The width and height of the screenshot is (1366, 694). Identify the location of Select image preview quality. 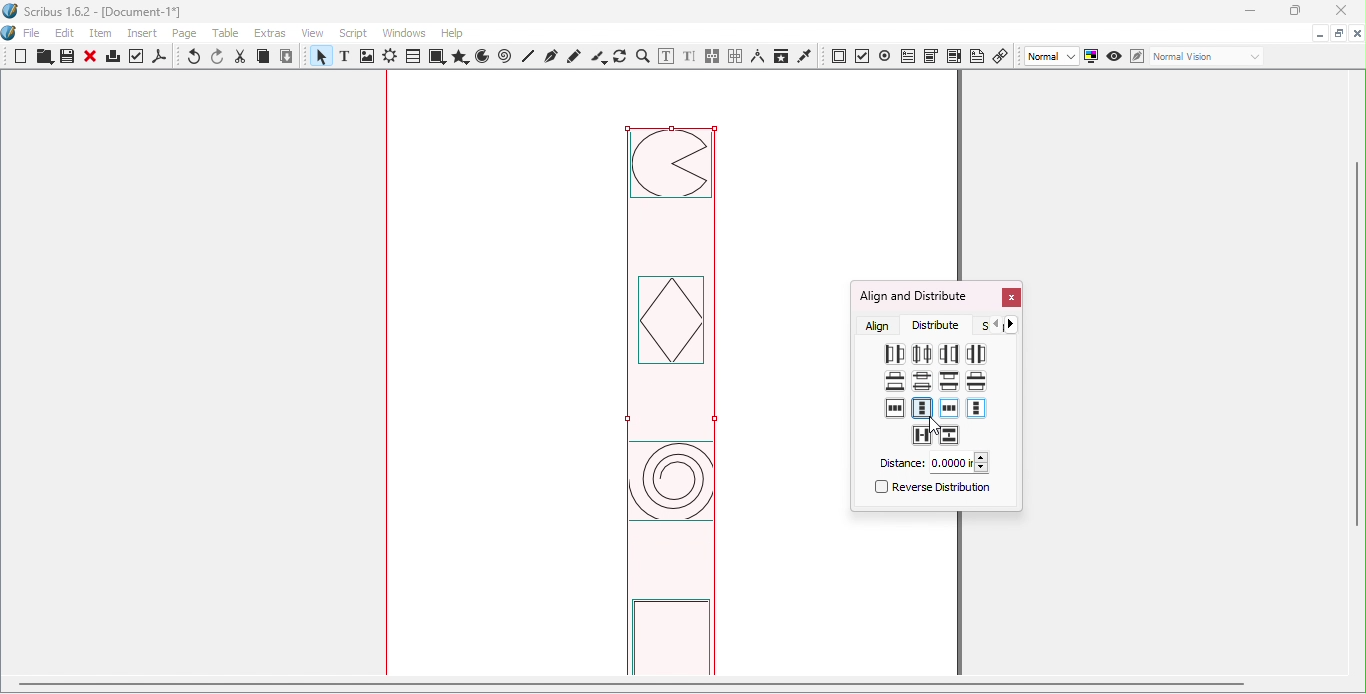
(1053, 57).